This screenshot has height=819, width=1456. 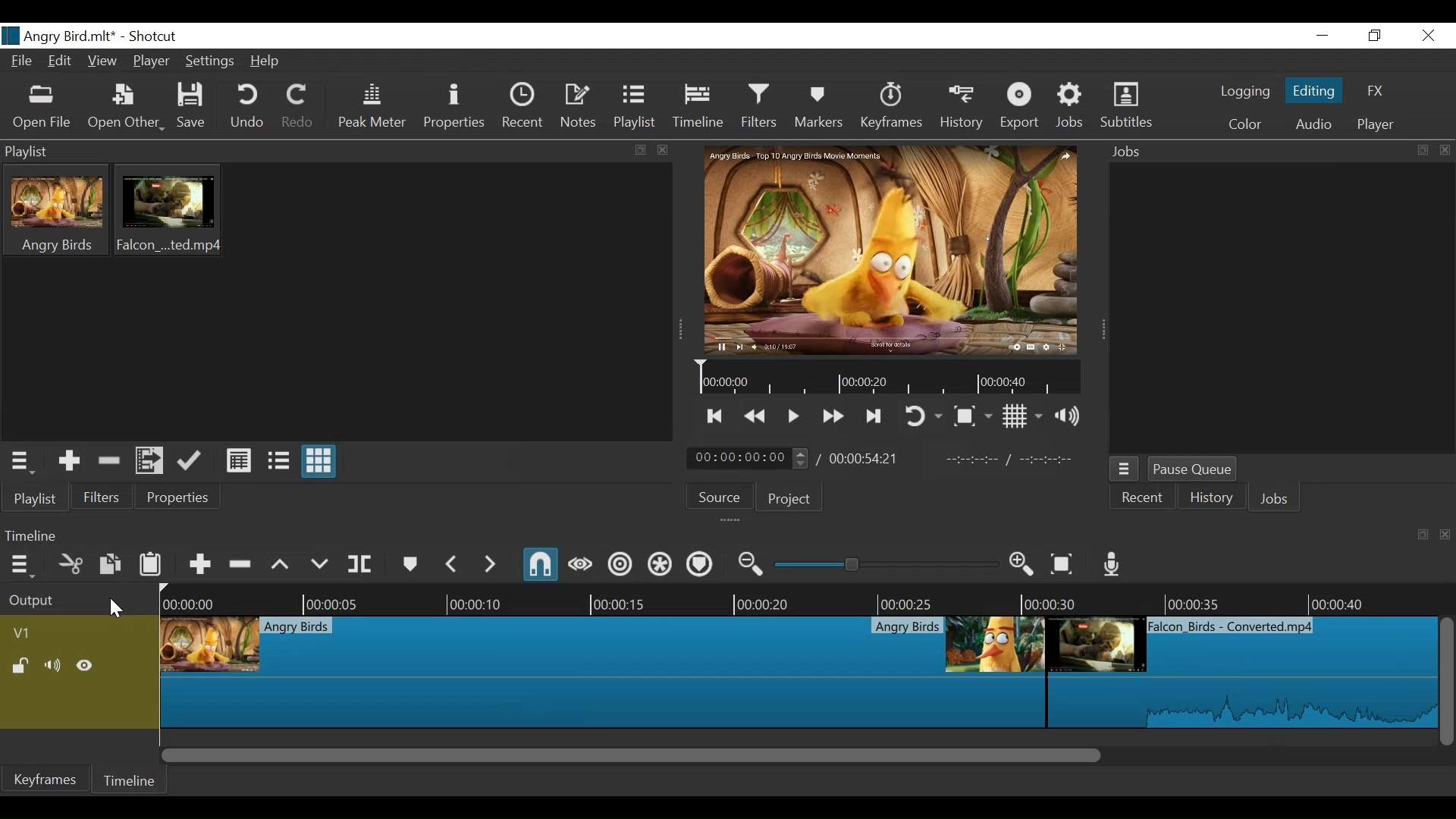 I want to click on lift, so click(x=280, y=564).